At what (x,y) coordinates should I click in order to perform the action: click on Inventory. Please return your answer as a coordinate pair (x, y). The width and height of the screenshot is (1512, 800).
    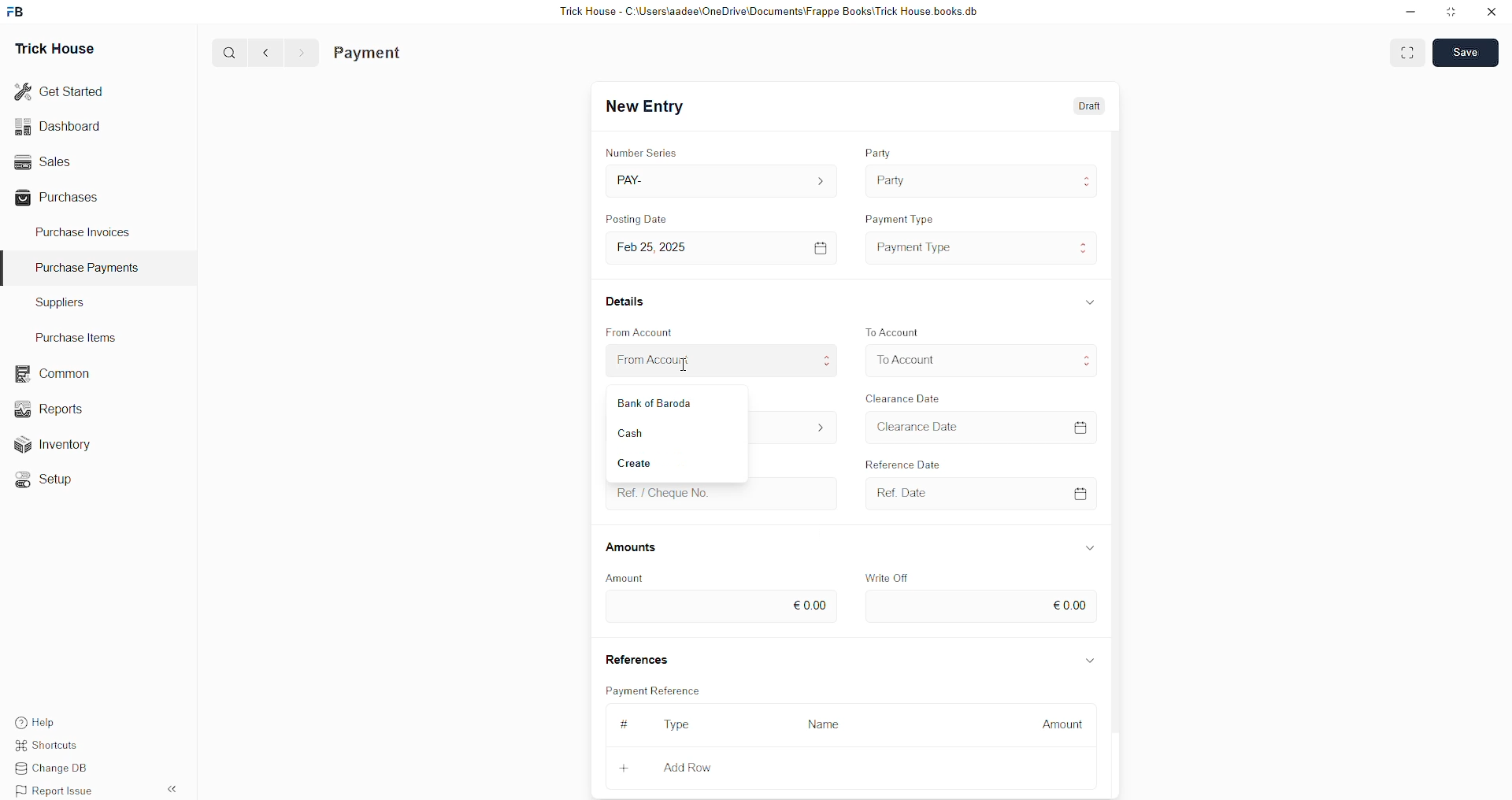
    Looking at the image, I should click on (61, 448).